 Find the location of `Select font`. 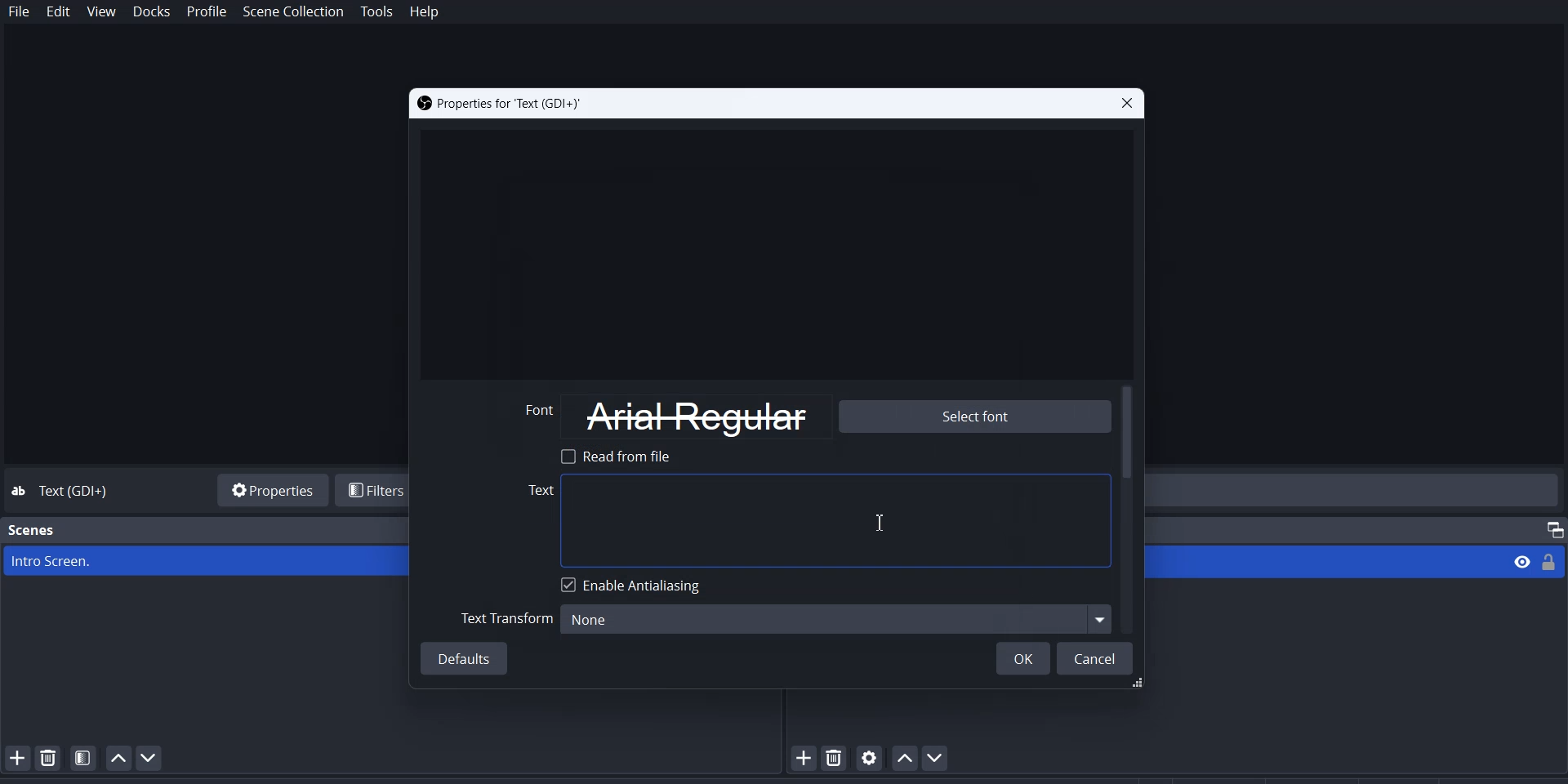

Select font is located at coordinates (973, 417).